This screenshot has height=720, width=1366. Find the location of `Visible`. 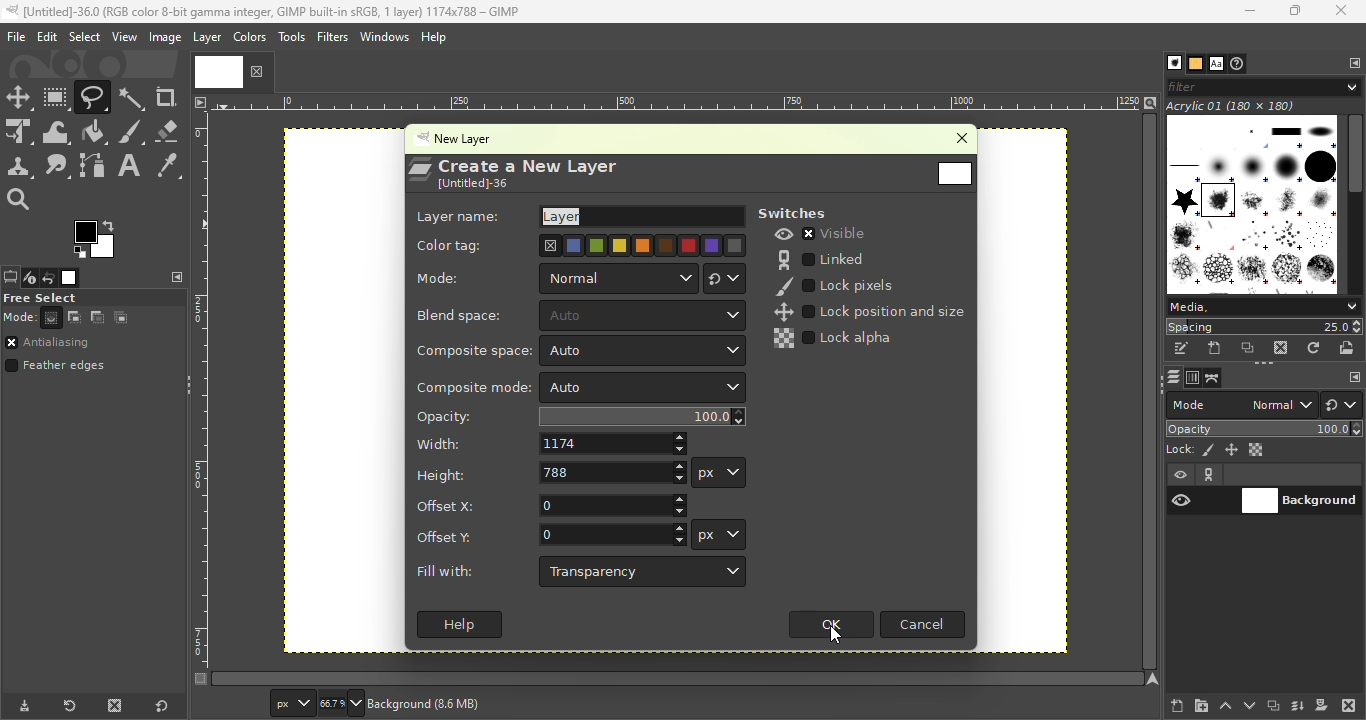

Visible is located at coordinates (823, 234).